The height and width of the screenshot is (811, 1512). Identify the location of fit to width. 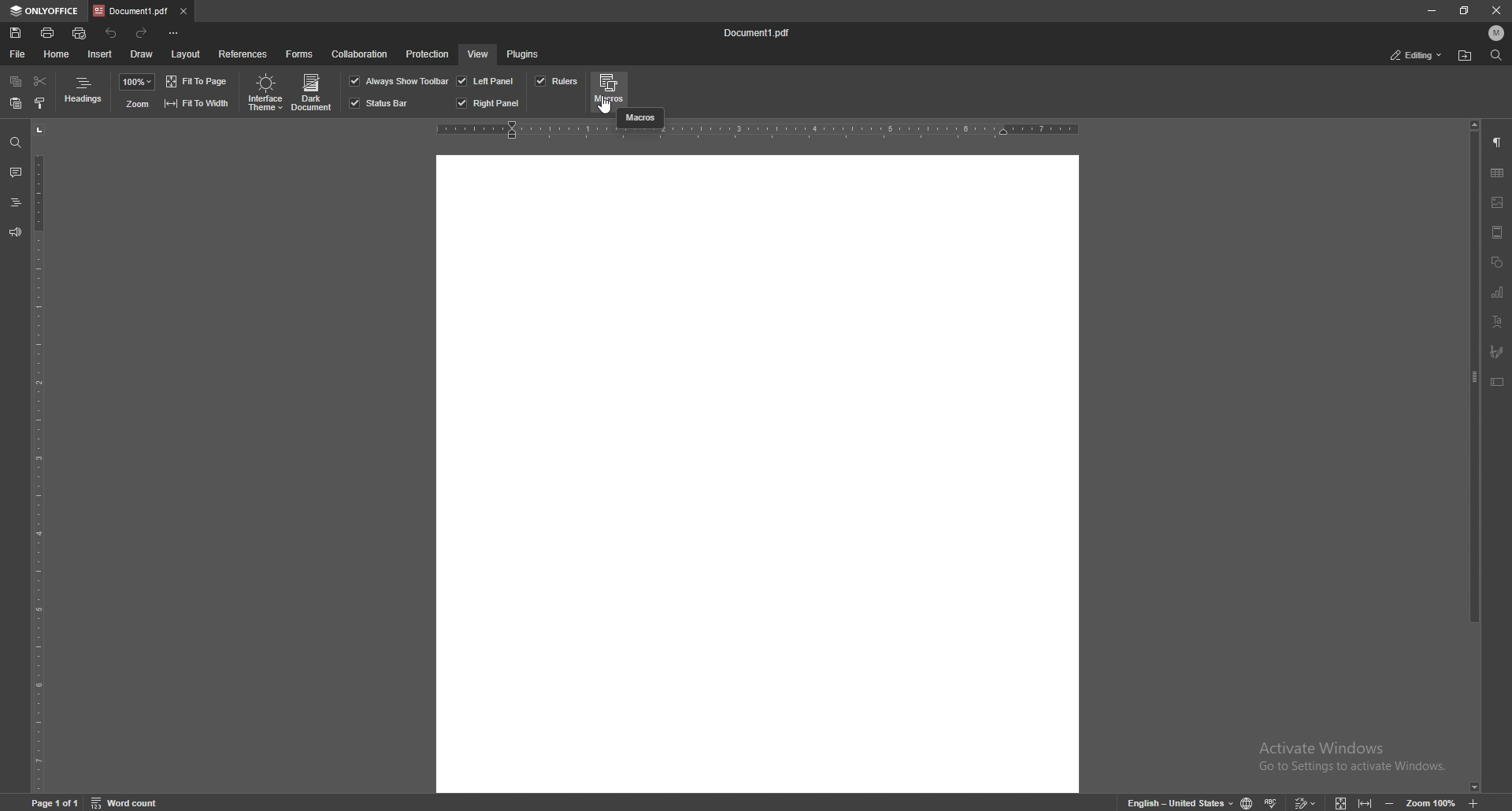
(196, 102).